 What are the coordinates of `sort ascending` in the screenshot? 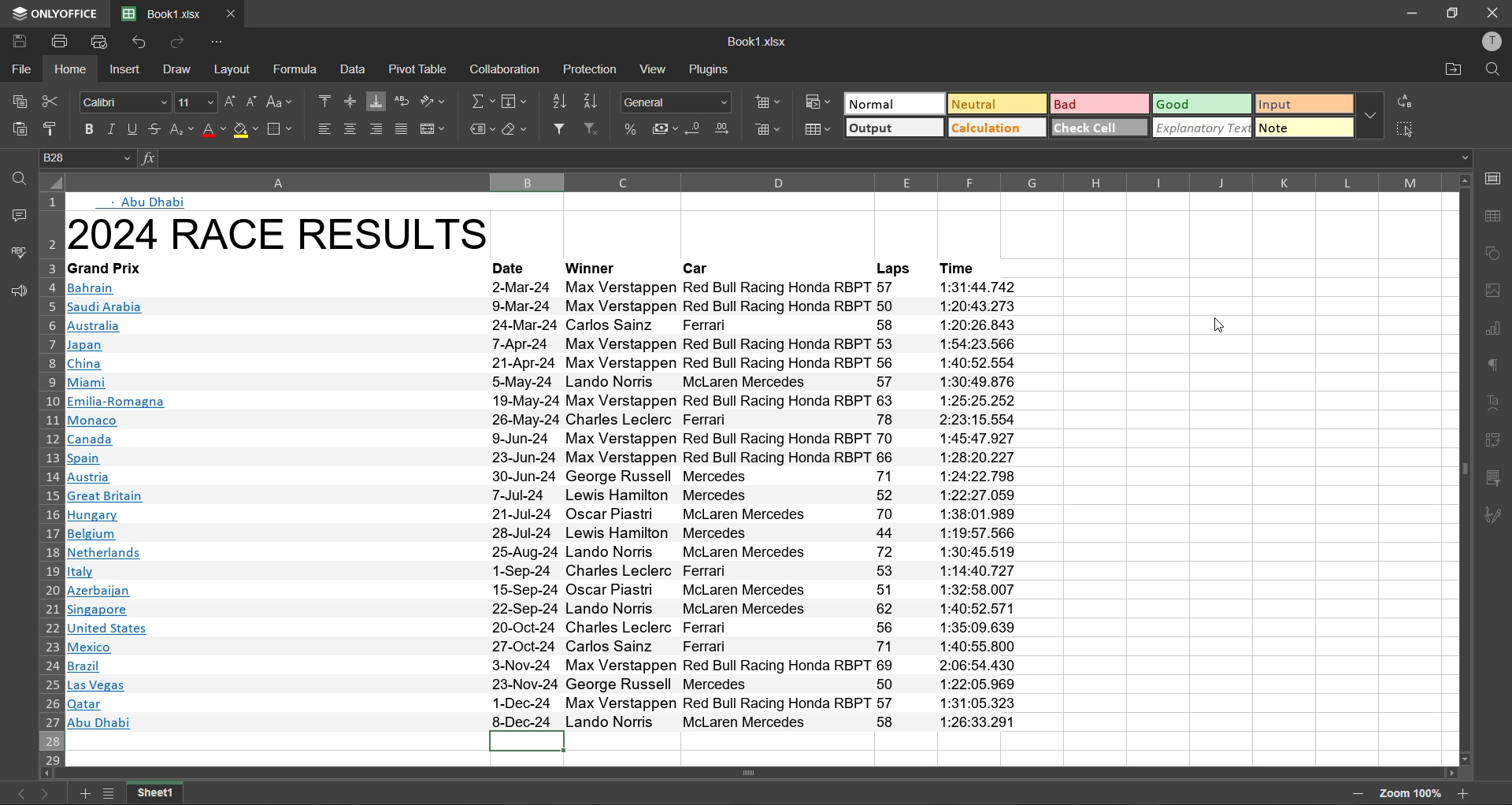 It's located at (562, 99).